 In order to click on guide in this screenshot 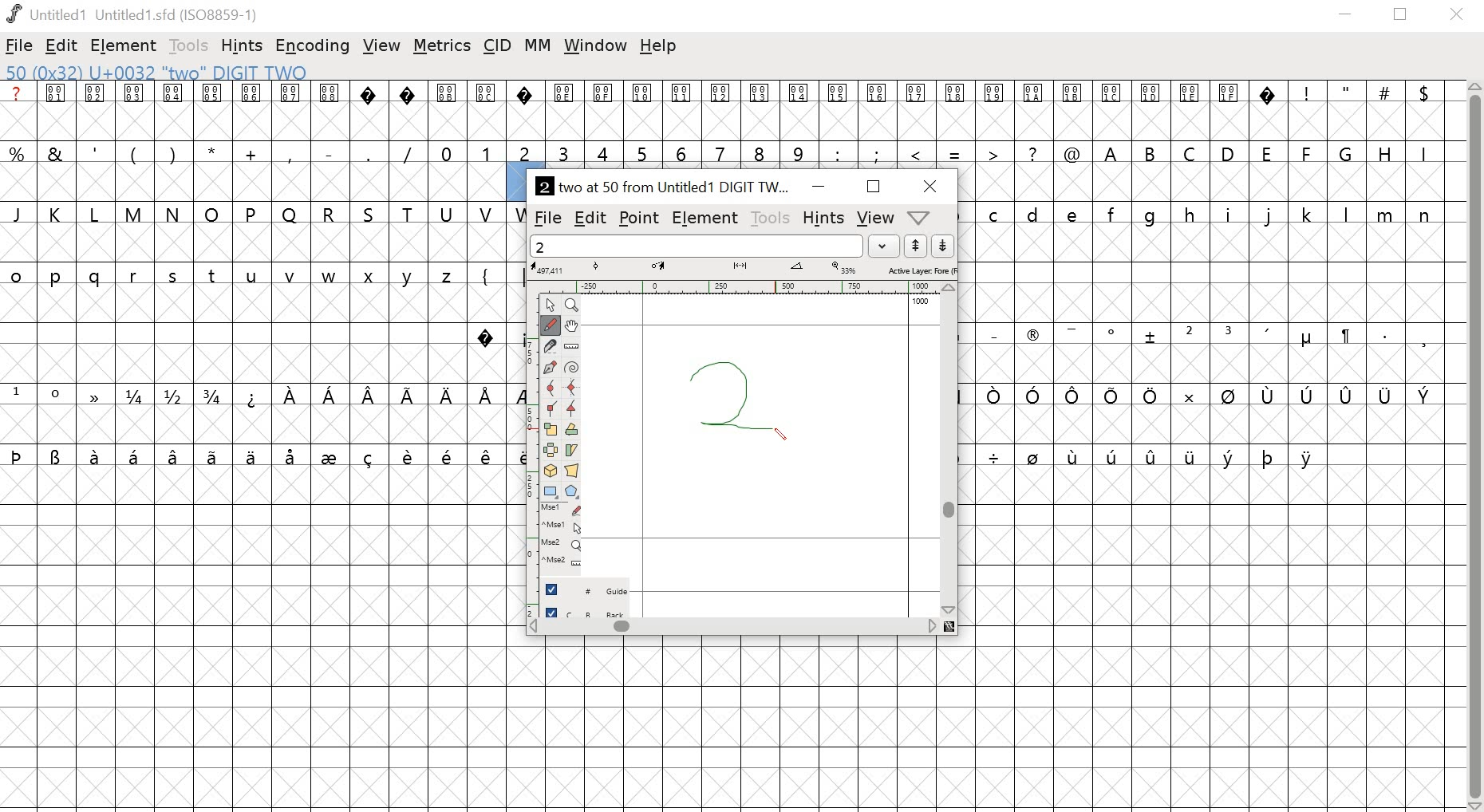, I will do `click(589, 588)`.